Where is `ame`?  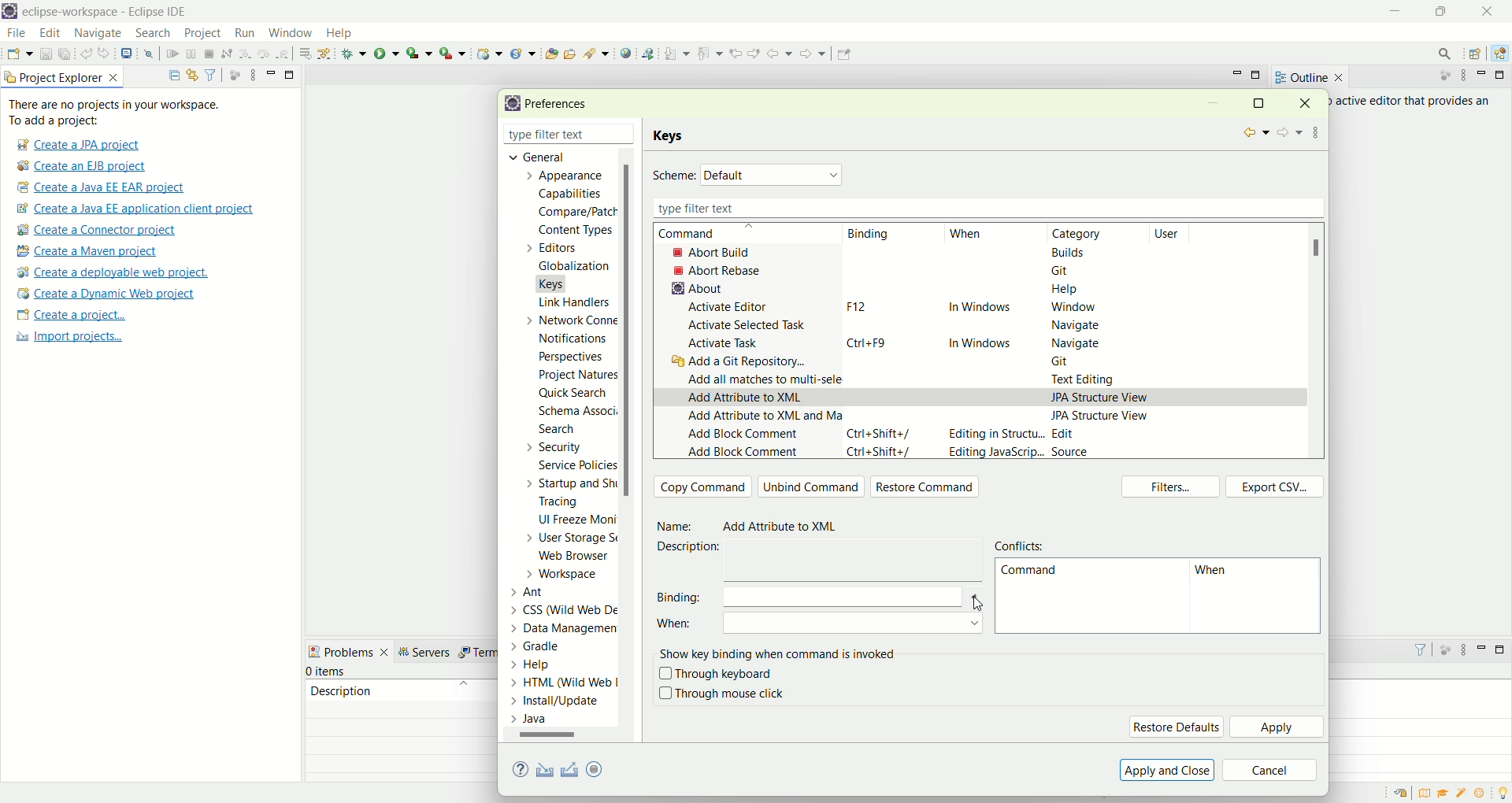 ame is located at coordinates (677, 527).